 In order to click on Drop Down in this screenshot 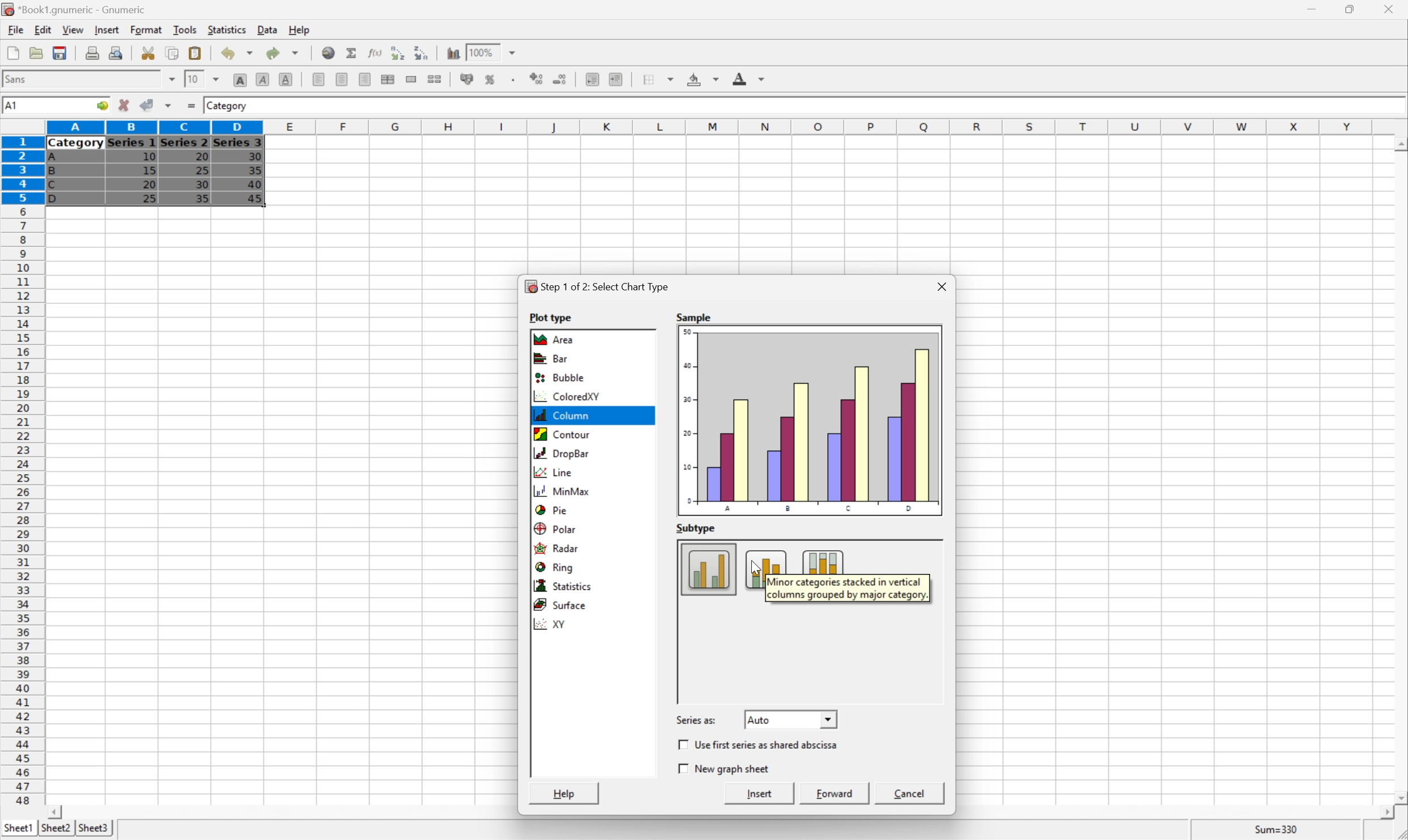, I will do `click(514, 52)`.